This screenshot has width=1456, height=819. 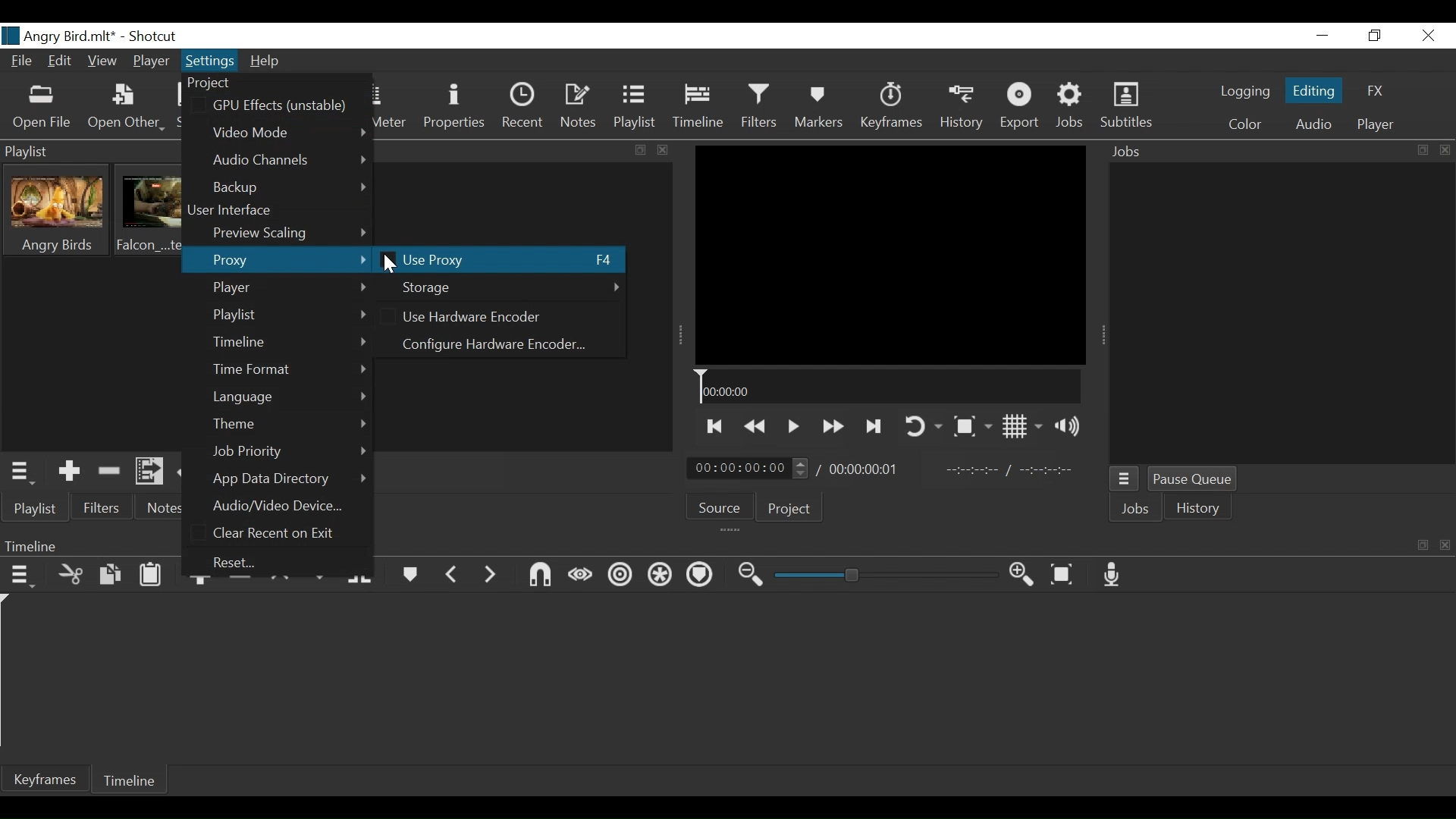 I want to click on Clear Recent on Exit, so click(x=280, y=535).